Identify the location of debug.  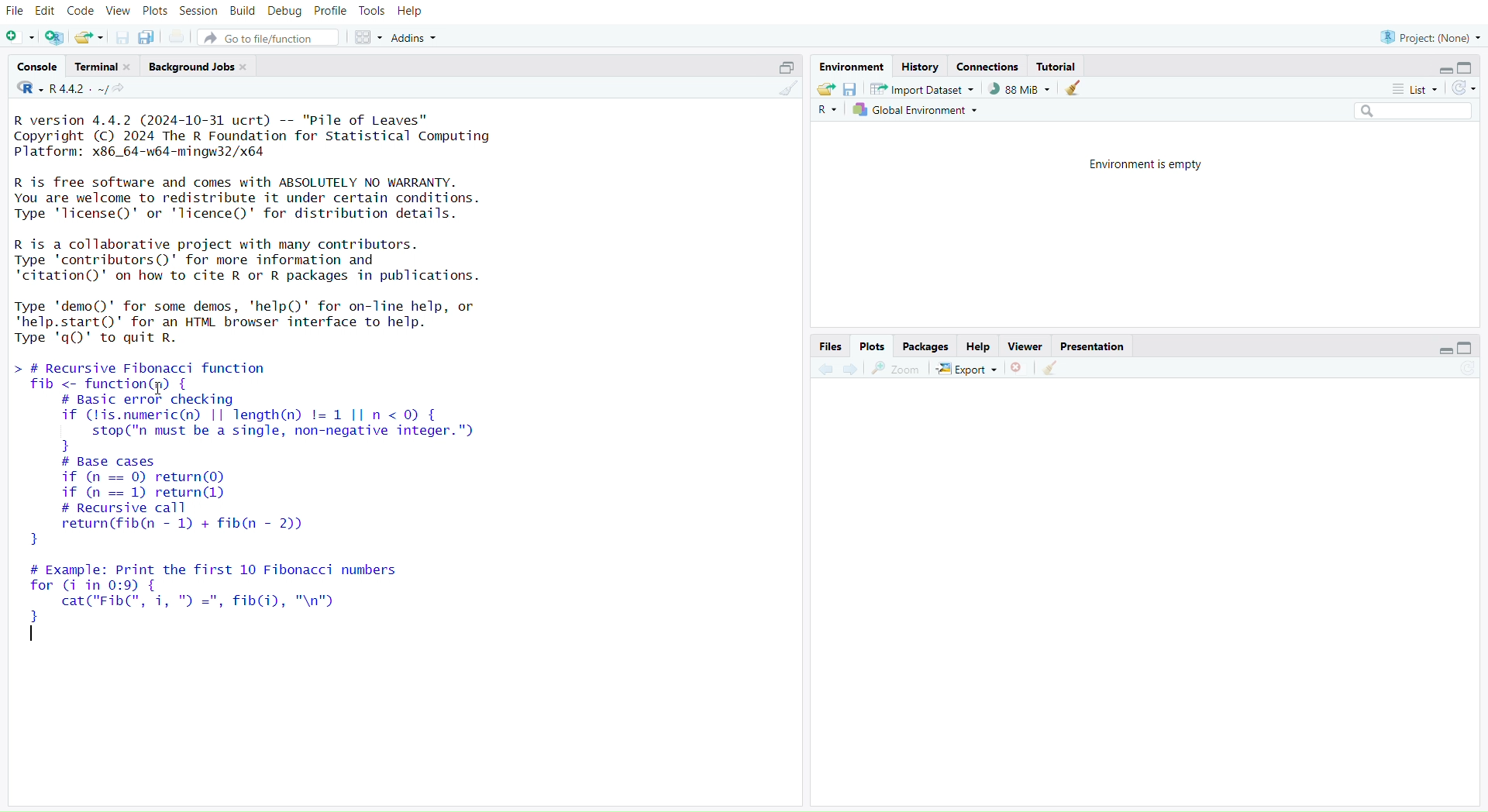
(285, 12).